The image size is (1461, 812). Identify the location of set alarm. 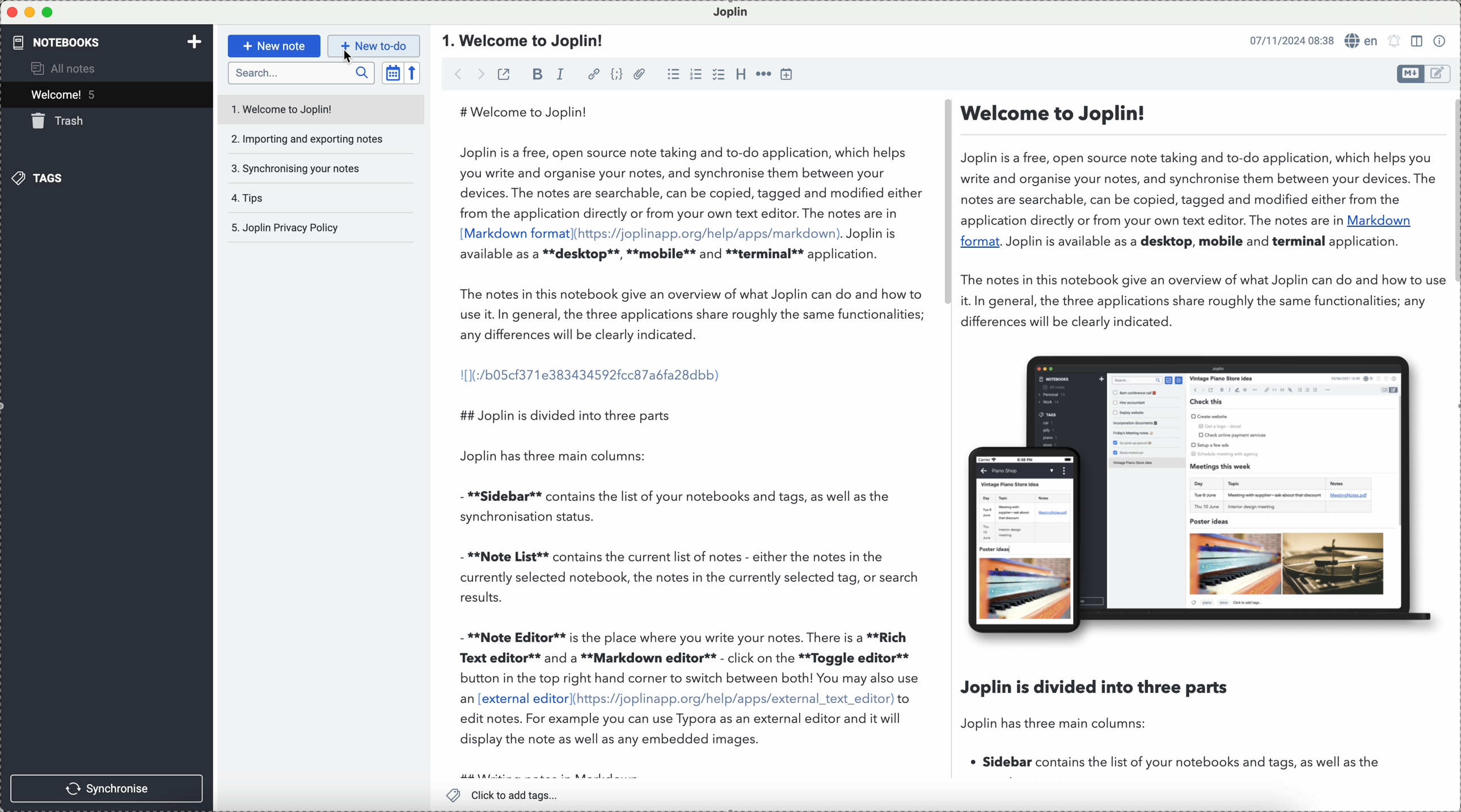
(1396, 41).